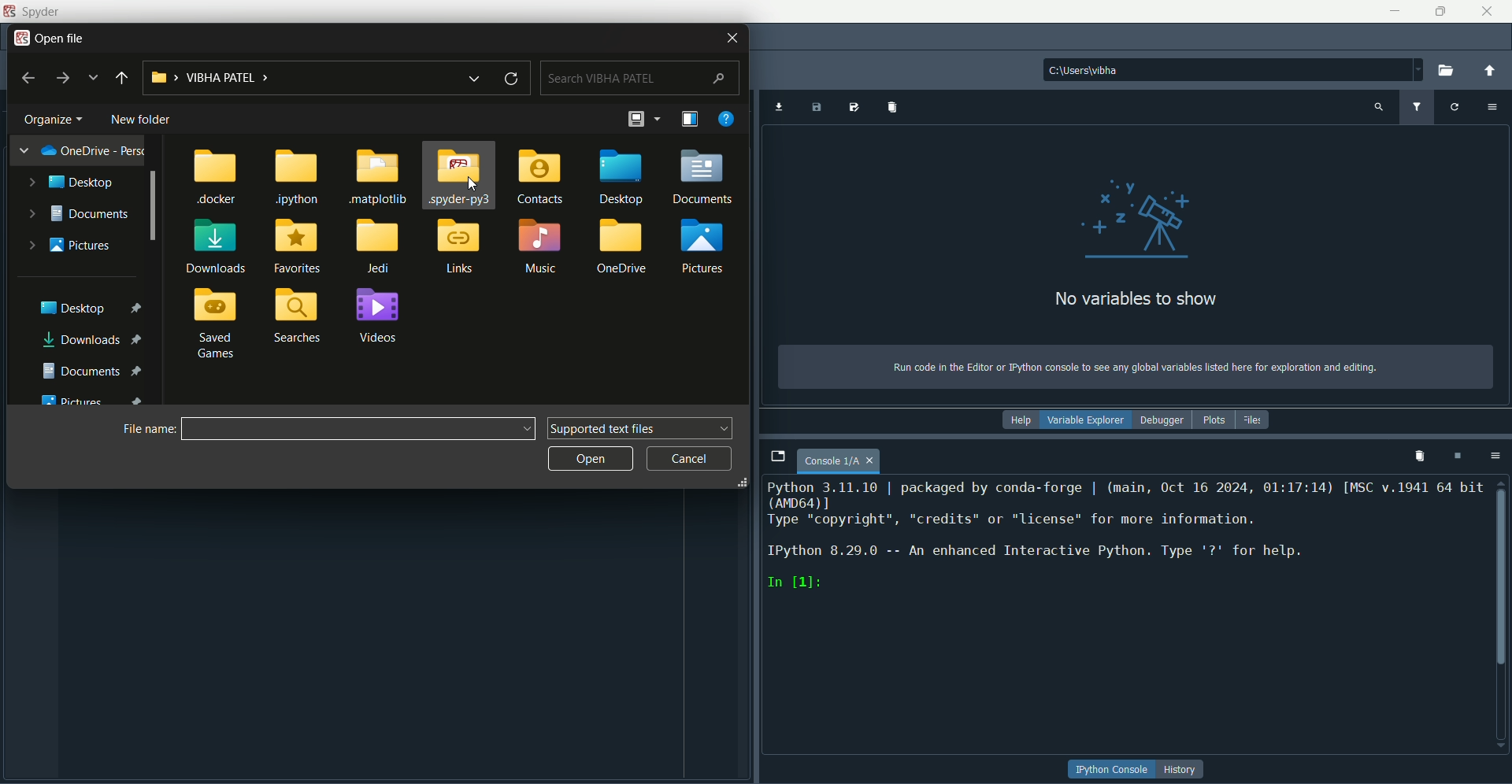 This screenshot has width=1512, height=784. I want to click on desktop, so click(91, 305).